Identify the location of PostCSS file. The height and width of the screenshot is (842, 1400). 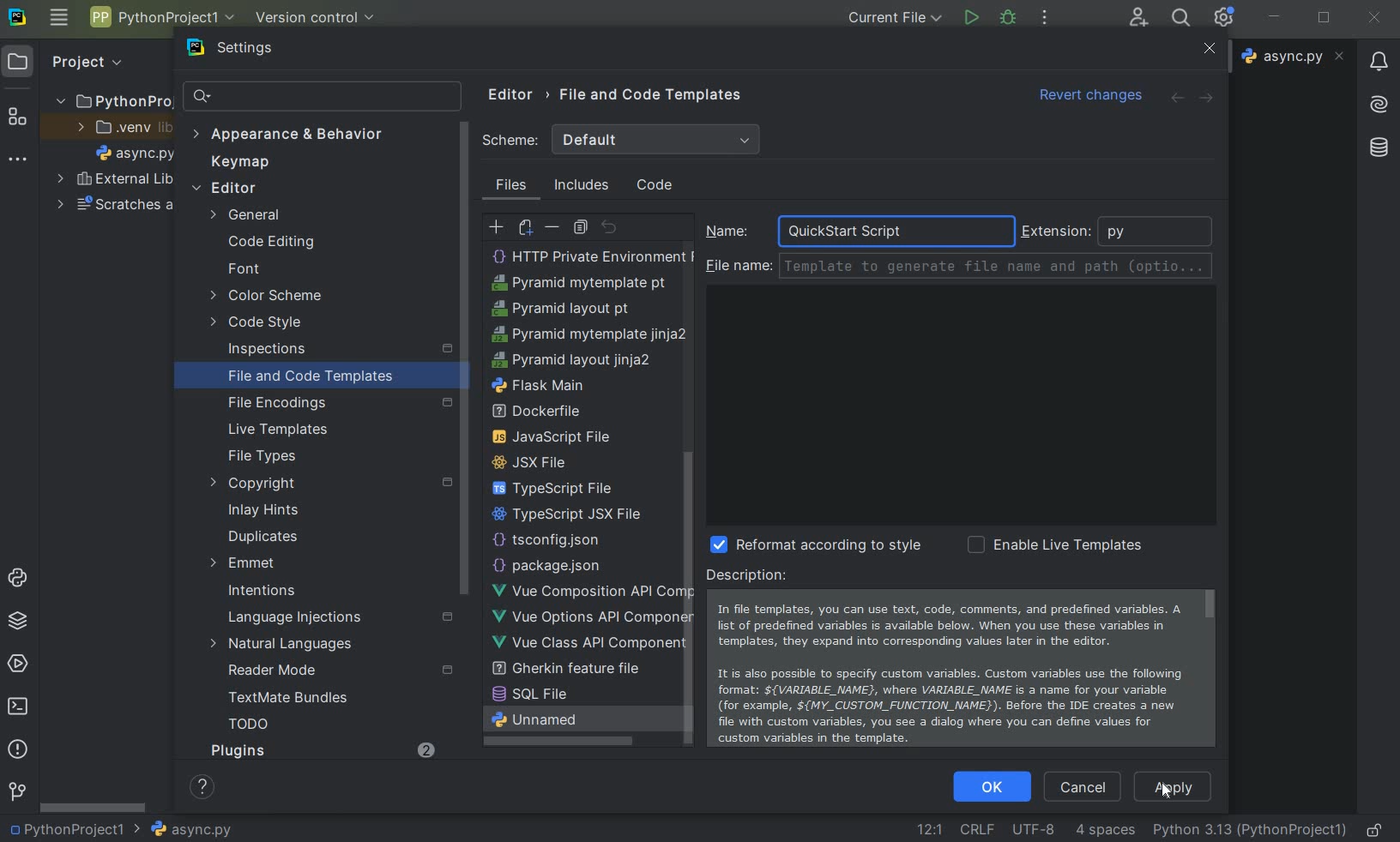
(578, 333).